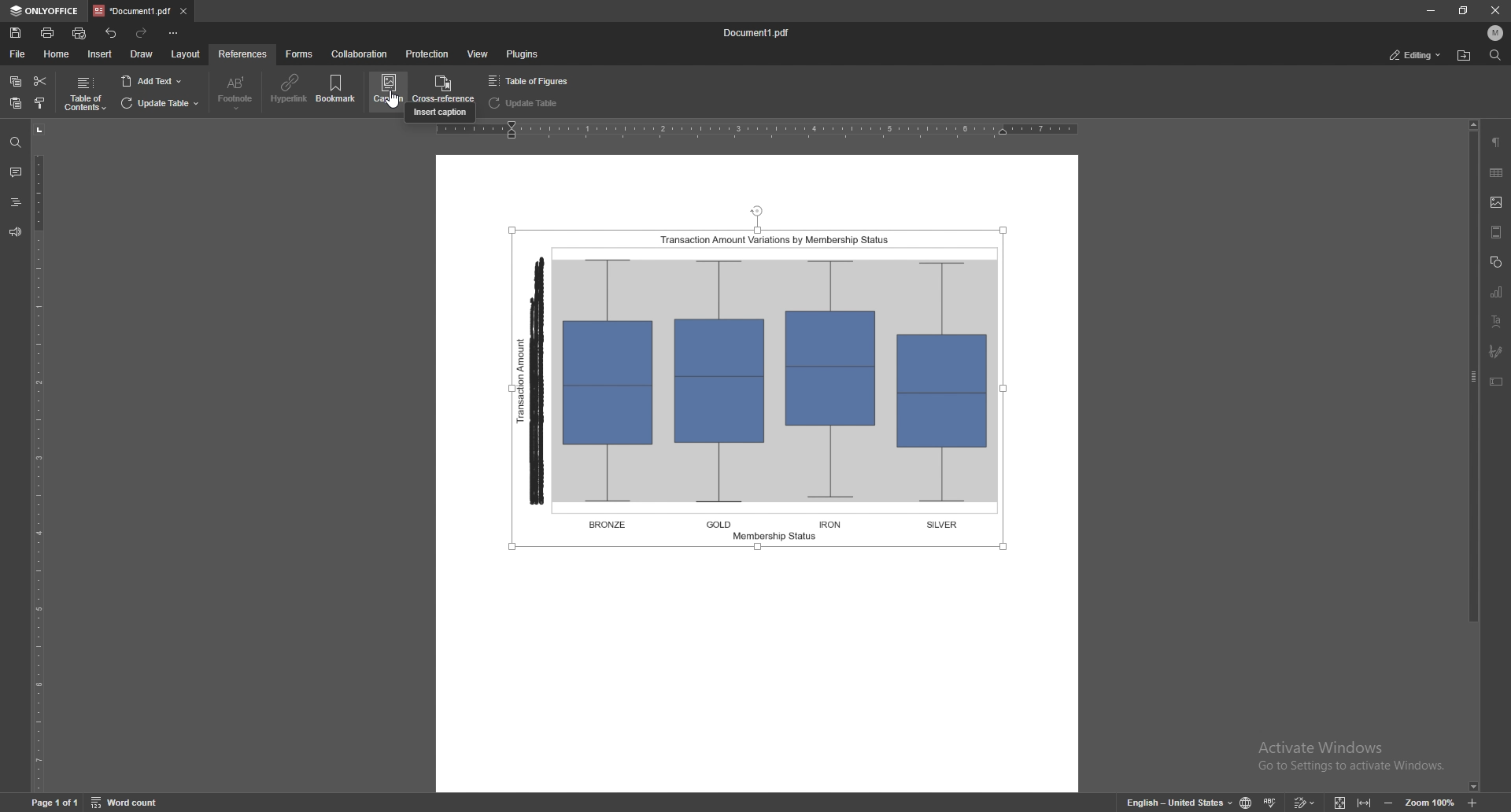 The image size is (1511, 812). Describe the element at coordinates (40, 103) in the screenshot. I see `copy style` at that location.